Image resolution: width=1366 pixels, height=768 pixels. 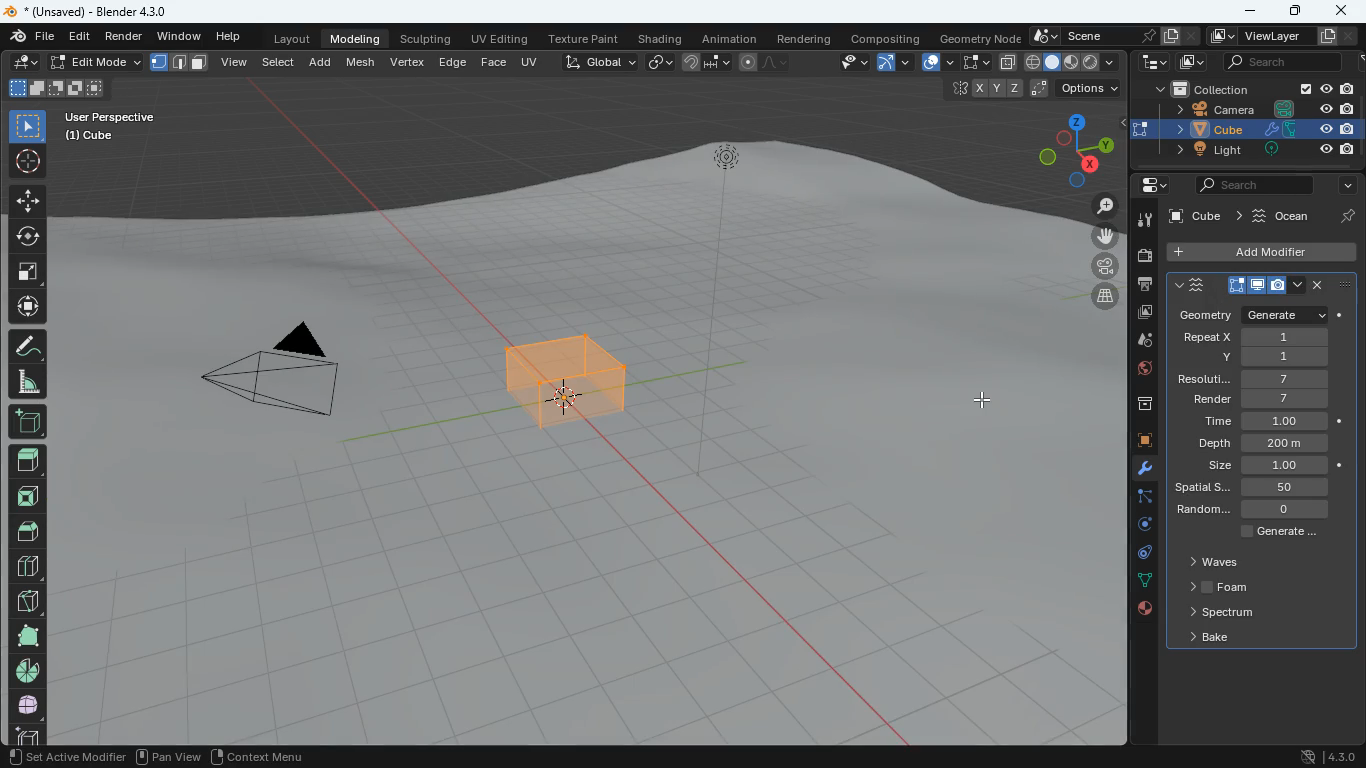 I want to click on camera, so click(x=1098, y=264).